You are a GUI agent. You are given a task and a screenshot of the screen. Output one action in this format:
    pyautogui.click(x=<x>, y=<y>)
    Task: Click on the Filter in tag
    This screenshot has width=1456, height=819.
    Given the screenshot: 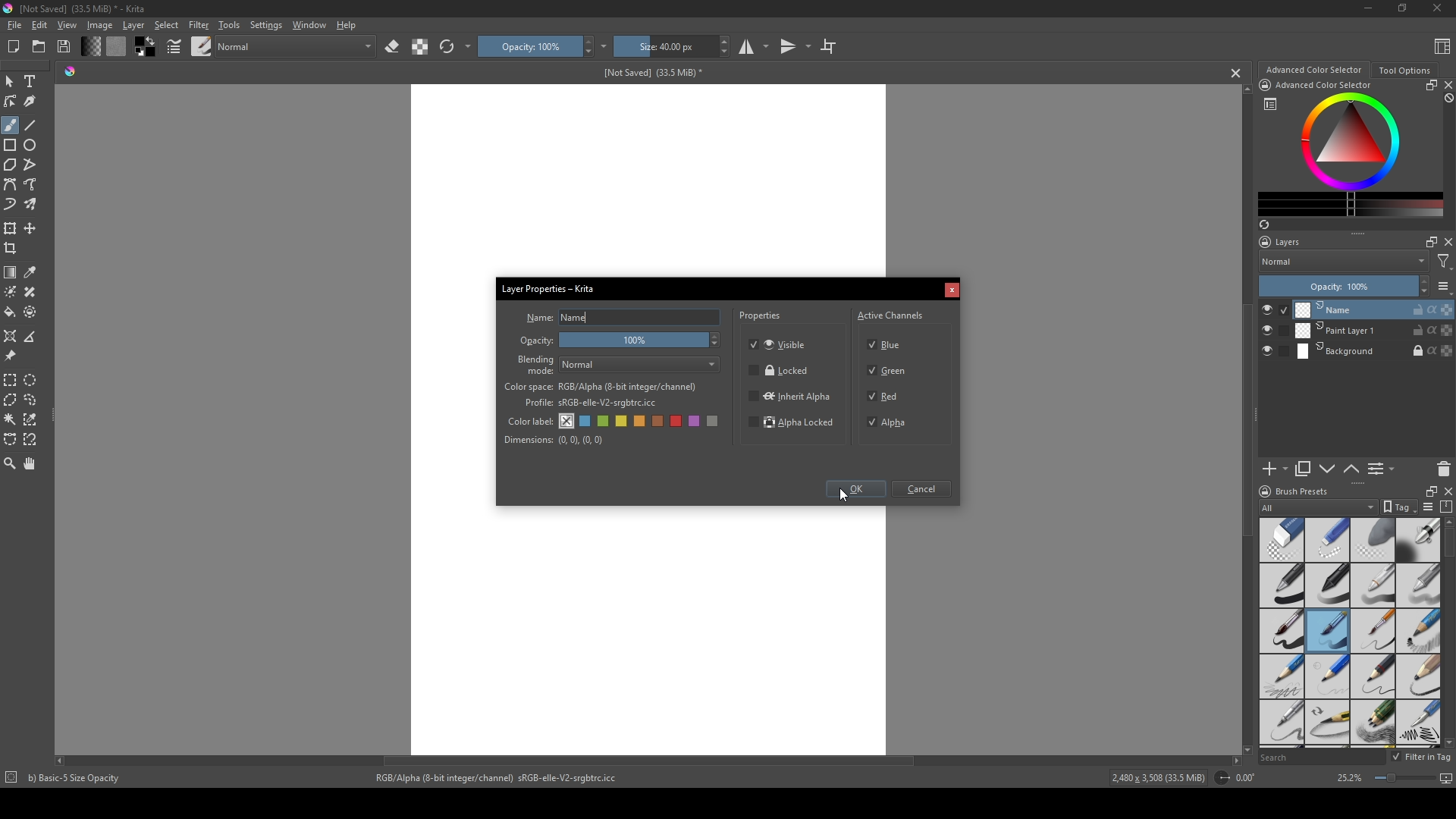 What is the action you would take?
    pyautogui.click(x=1423, y=758)
    